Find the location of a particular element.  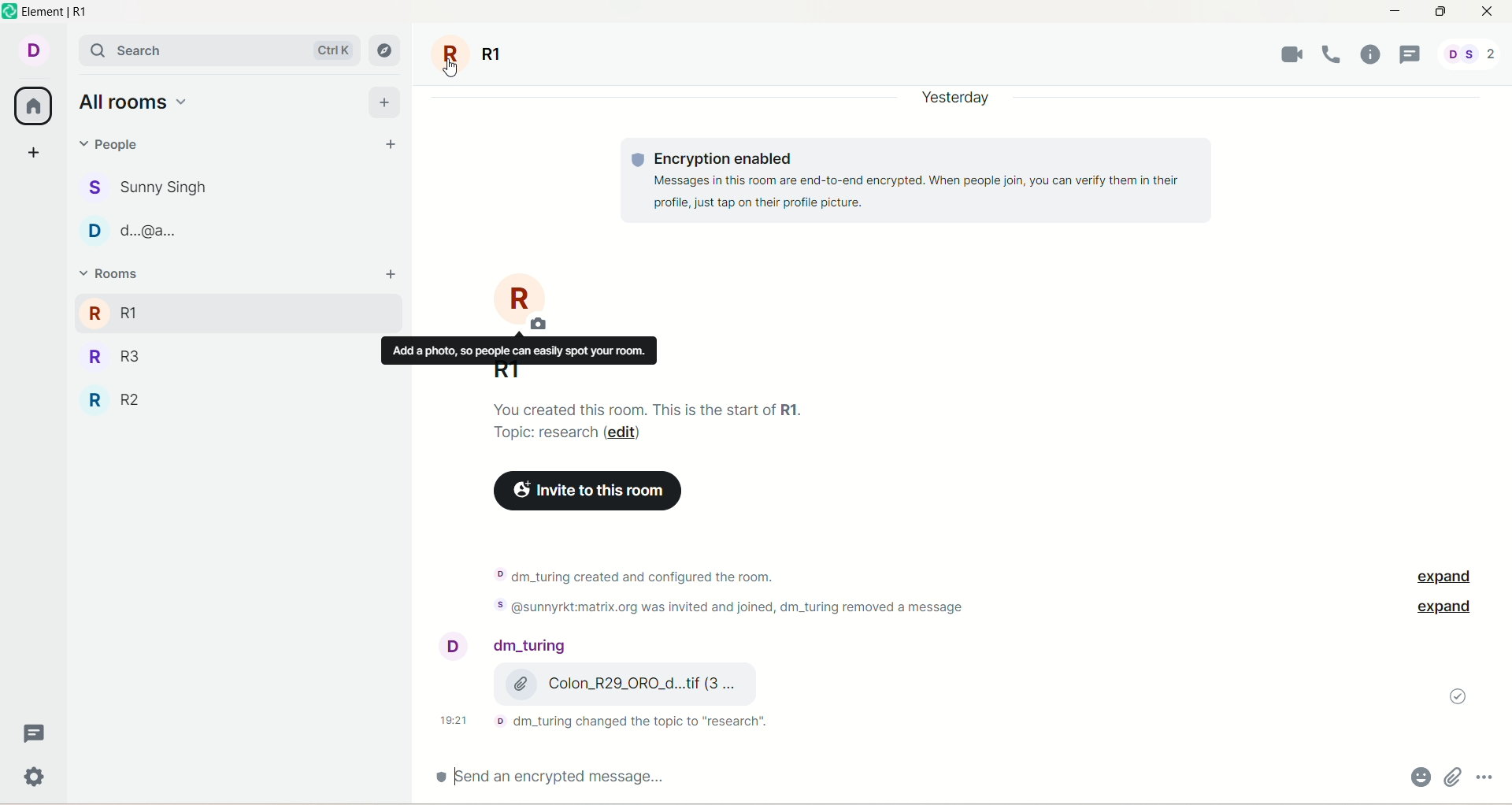

add is located at coordinates (386, 103).